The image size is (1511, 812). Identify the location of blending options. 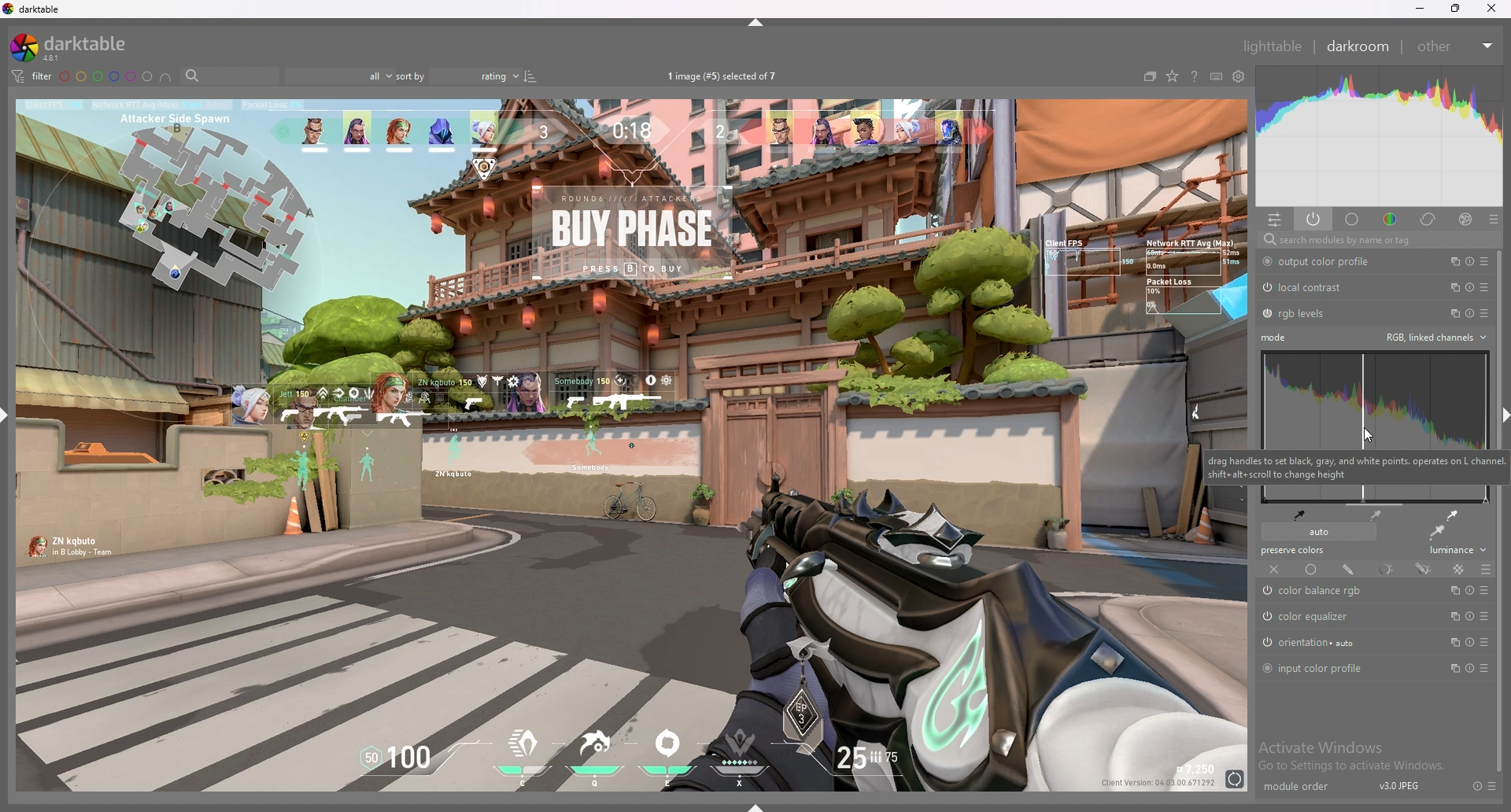
(1487, 569).